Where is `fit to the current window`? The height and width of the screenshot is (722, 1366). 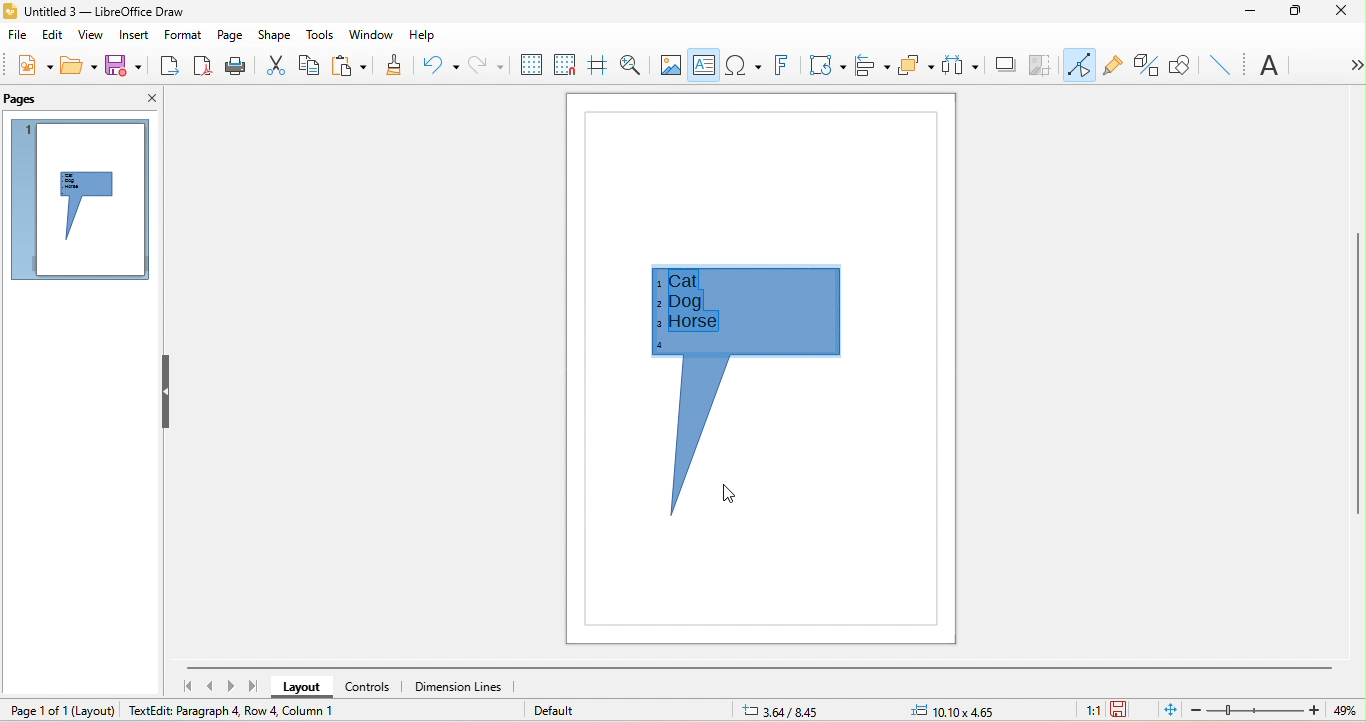
fit to the current window is located at coordinates (1167, 709).